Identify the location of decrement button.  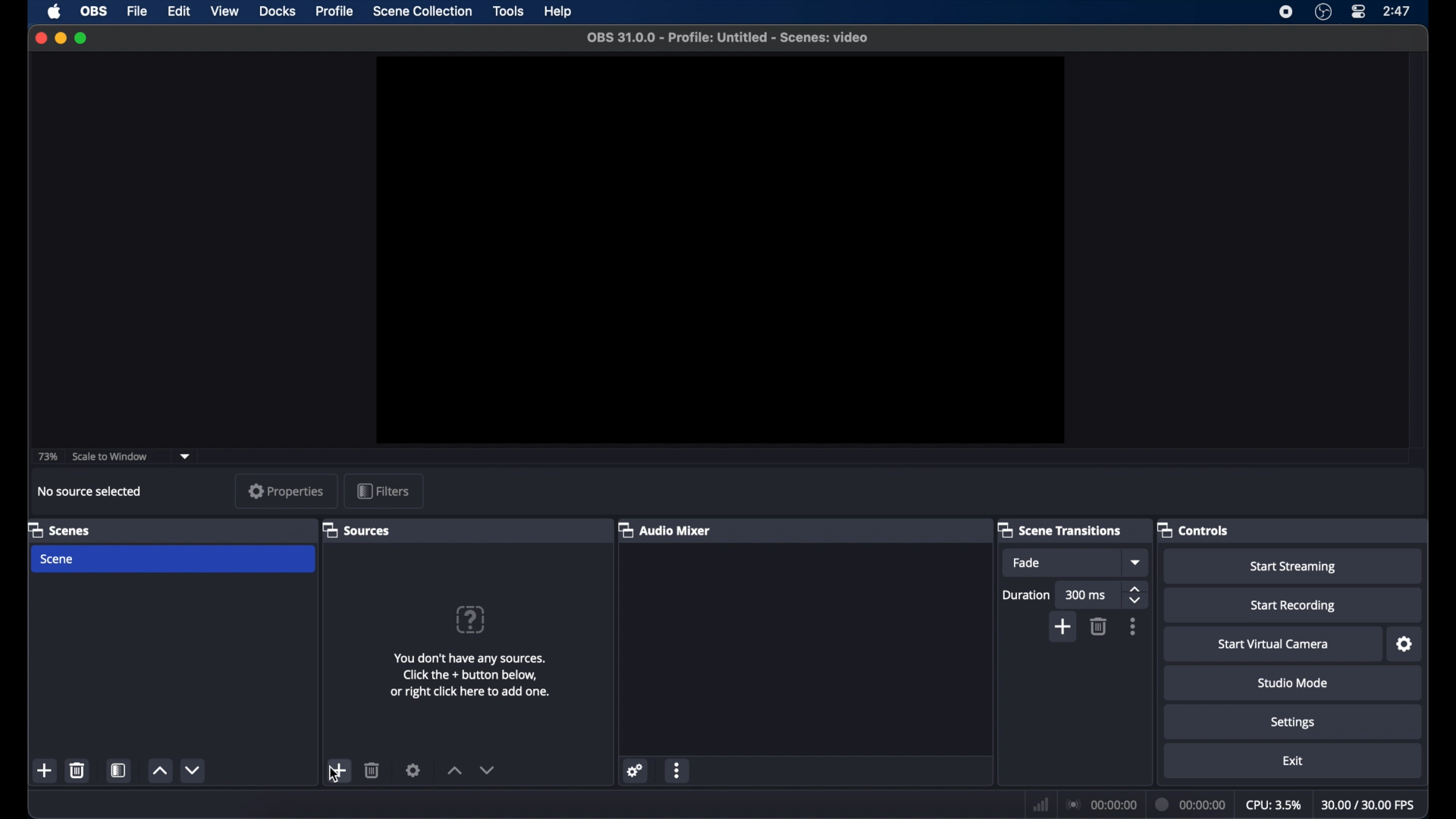
(194, 769).